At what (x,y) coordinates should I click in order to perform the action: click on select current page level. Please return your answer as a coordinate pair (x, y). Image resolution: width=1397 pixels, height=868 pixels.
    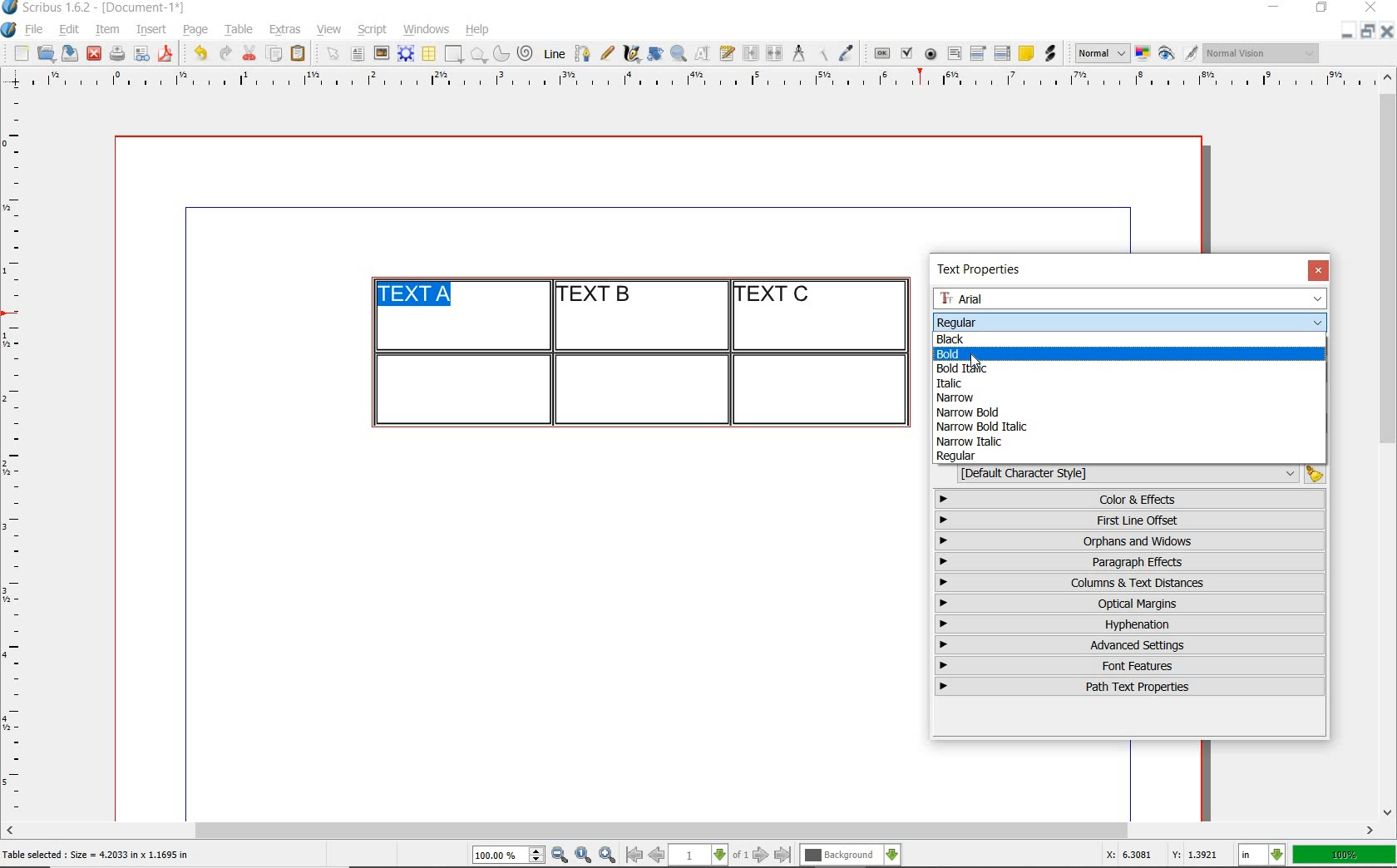
    Looking at the image, I should click on (708, 855).